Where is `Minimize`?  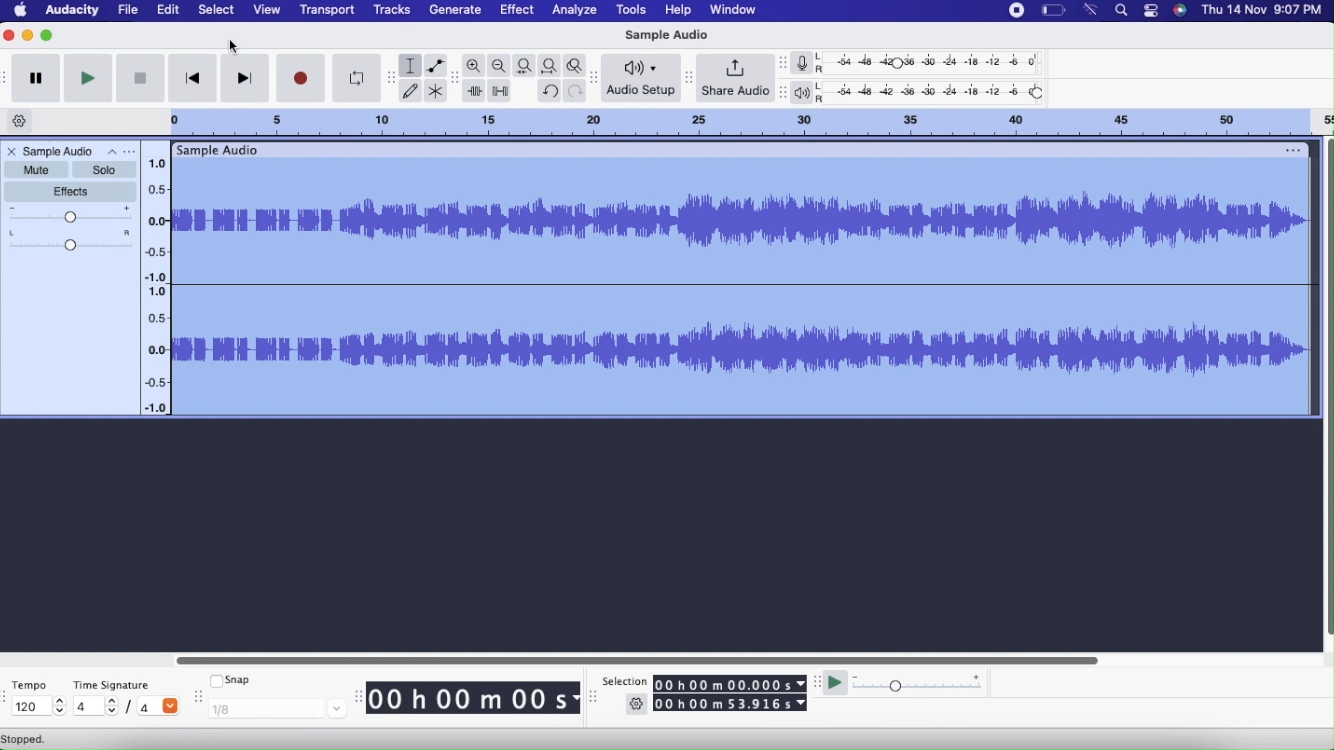 Minimize is located at coordinates (27, 35).